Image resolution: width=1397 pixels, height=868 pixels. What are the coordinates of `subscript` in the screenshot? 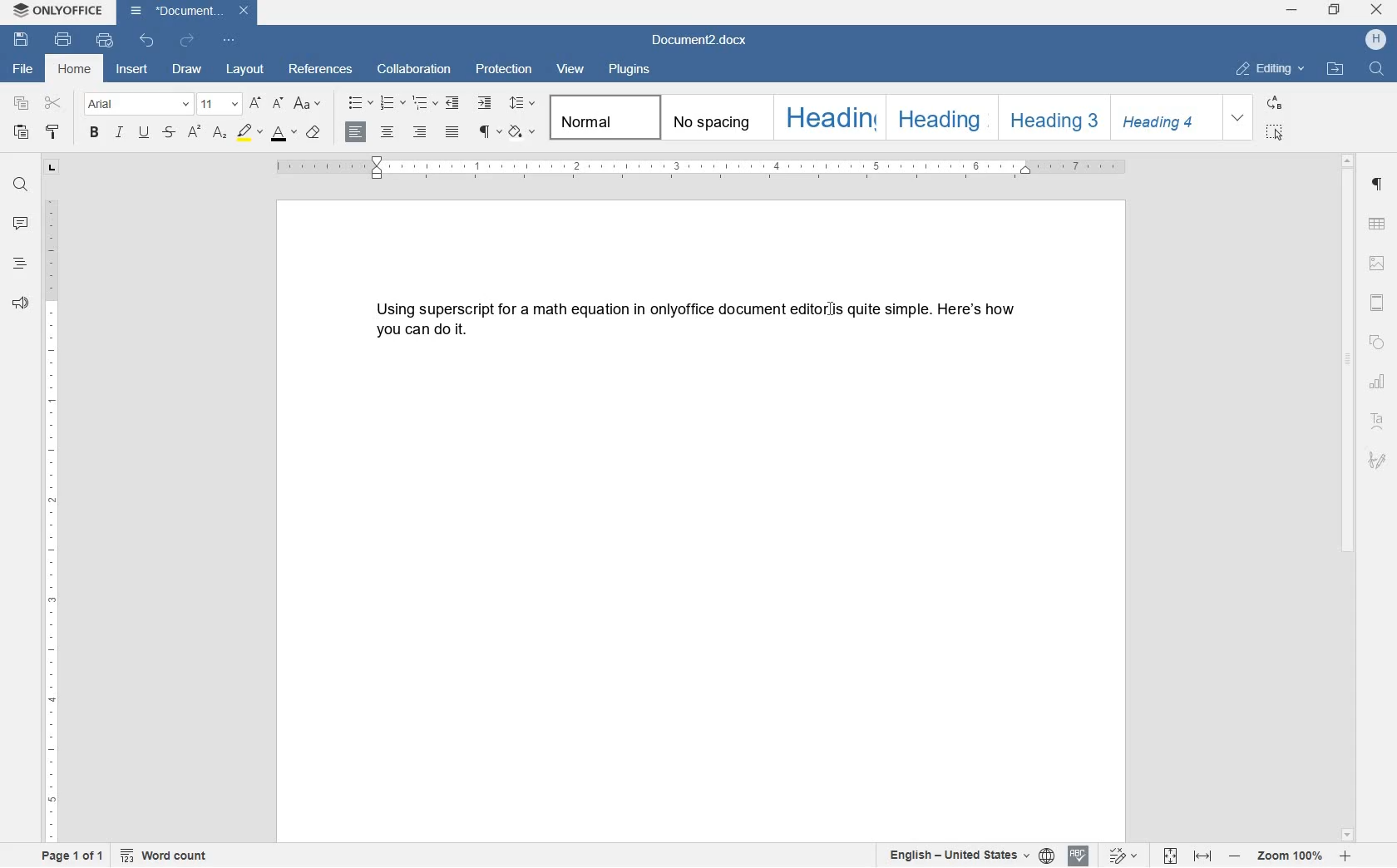 It's located at (219, 134).